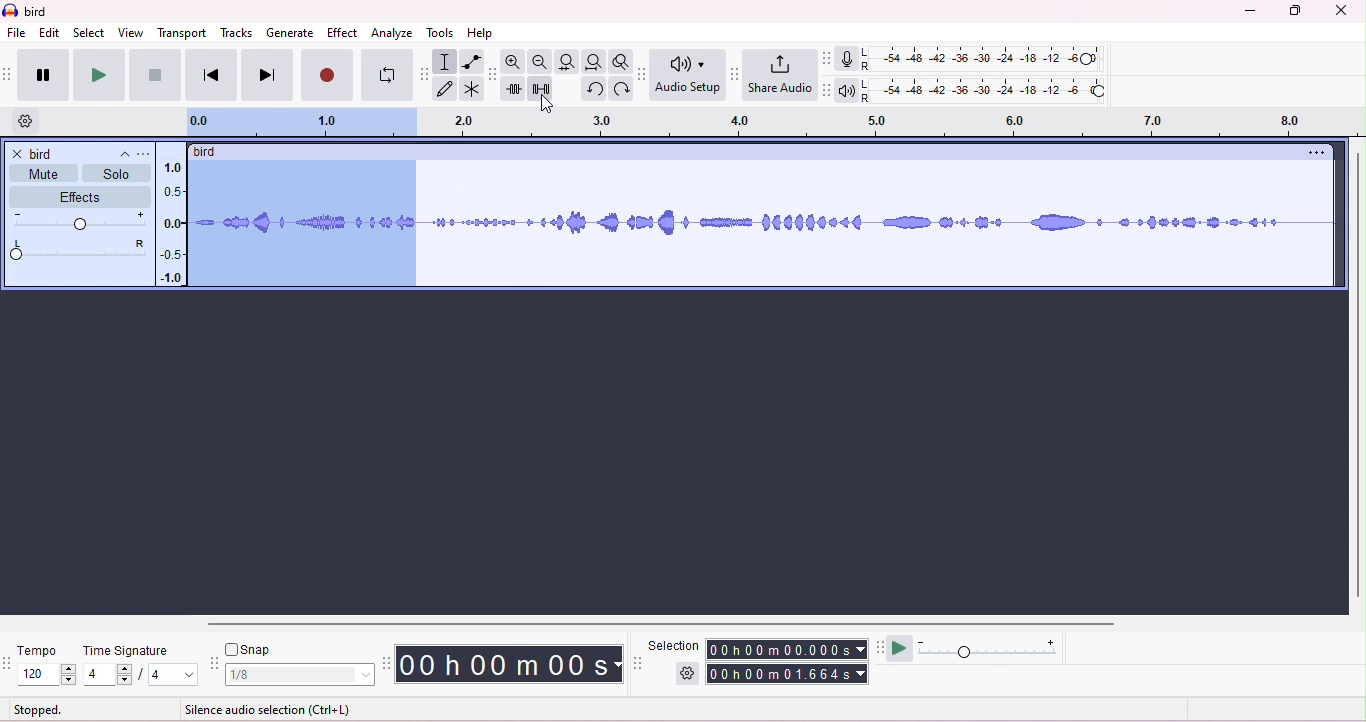  Describe the element at coordinates (446, 62) in the screenshot. I see `selection` at that location.